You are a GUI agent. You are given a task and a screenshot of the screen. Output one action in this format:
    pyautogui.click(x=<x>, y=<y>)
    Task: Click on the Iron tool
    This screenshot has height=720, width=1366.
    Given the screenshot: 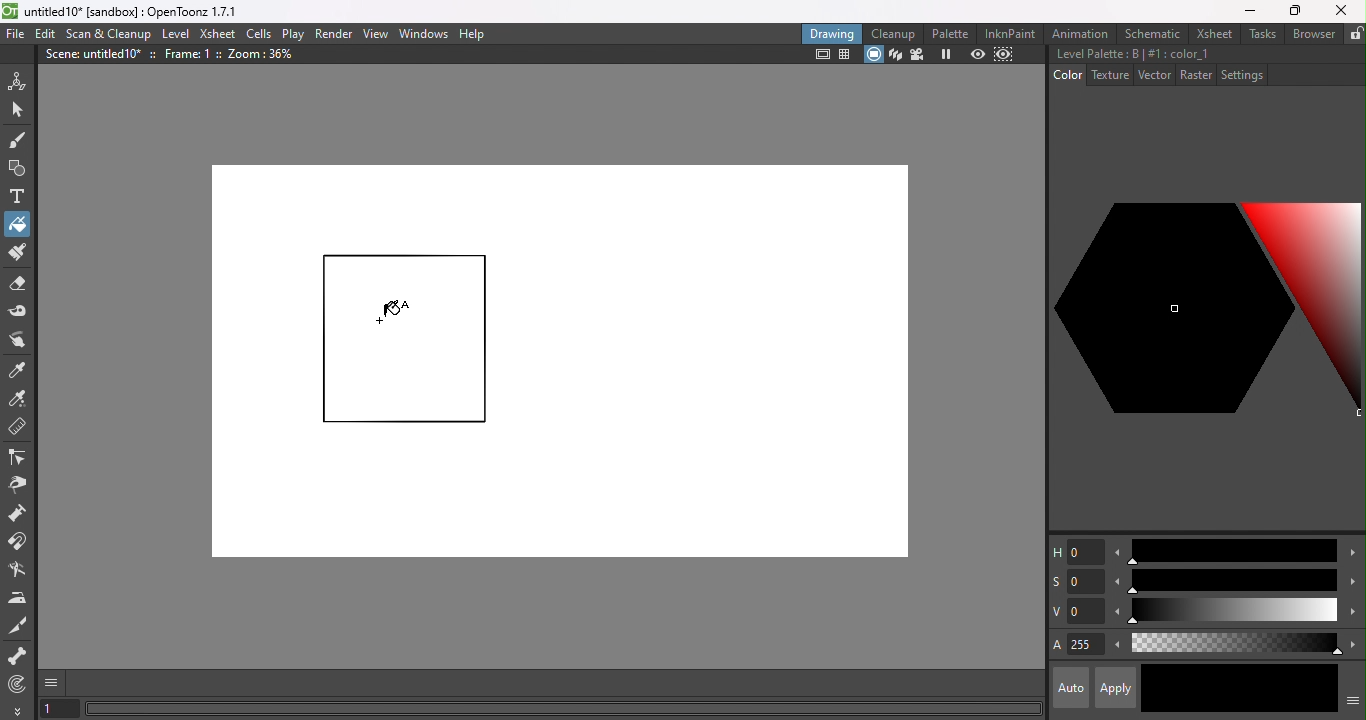 What is the action you would take?
    pyautogui.click(x=19, y=598)
    